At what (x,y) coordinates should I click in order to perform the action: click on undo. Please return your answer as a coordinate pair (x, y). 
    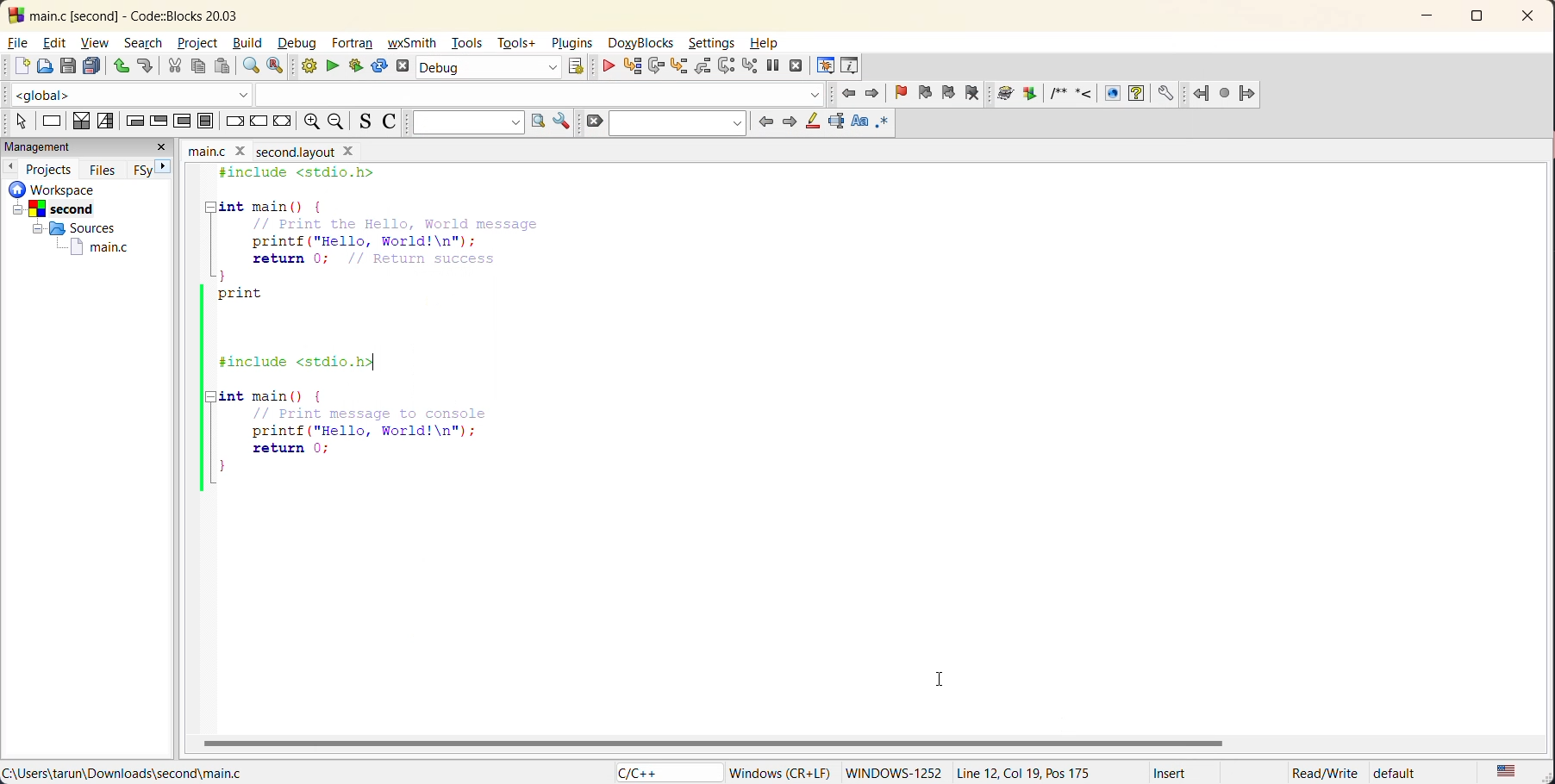
    Looking at the image, I should click on (118, 65).